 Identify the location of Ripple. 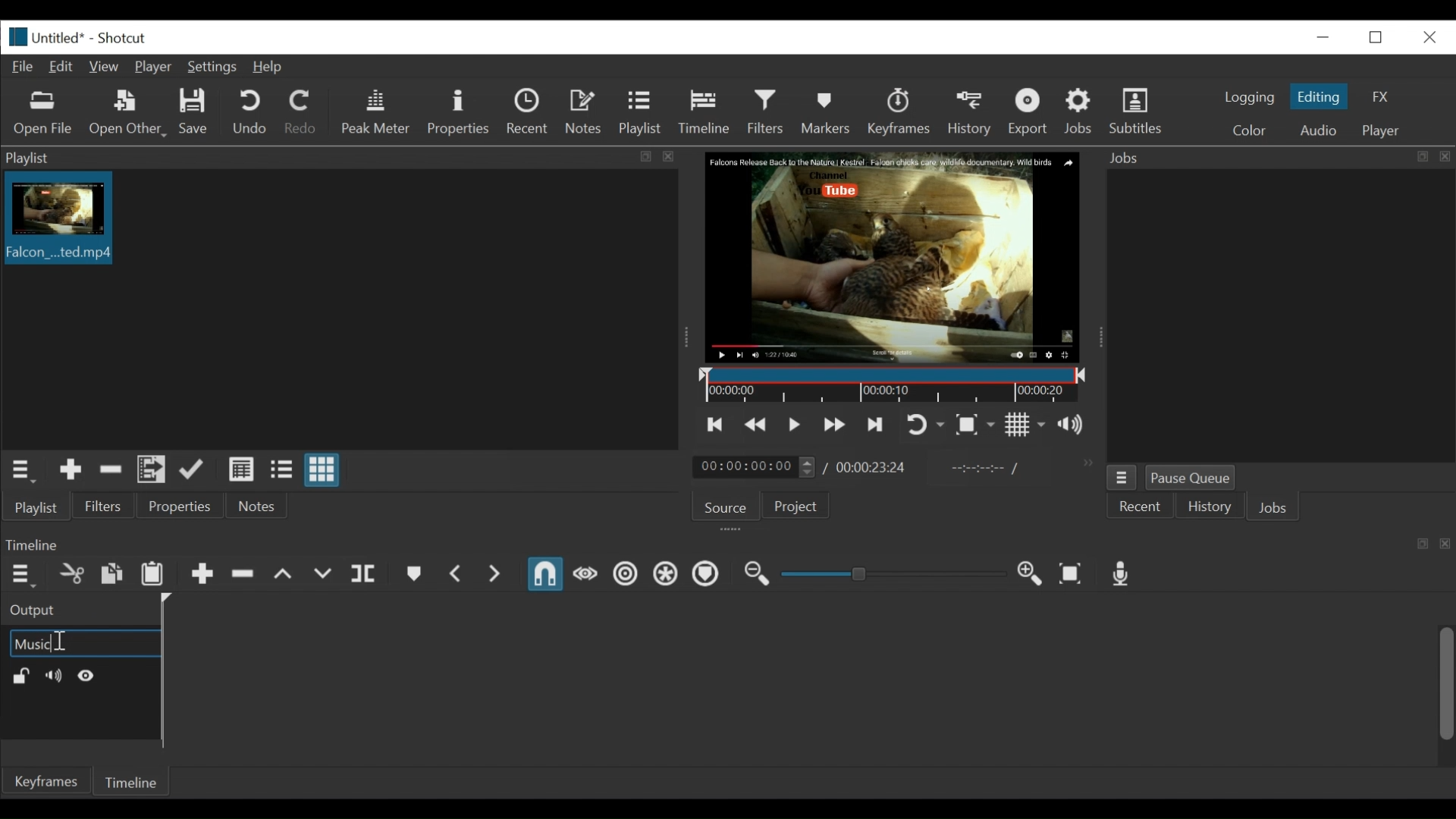
(626, 575).